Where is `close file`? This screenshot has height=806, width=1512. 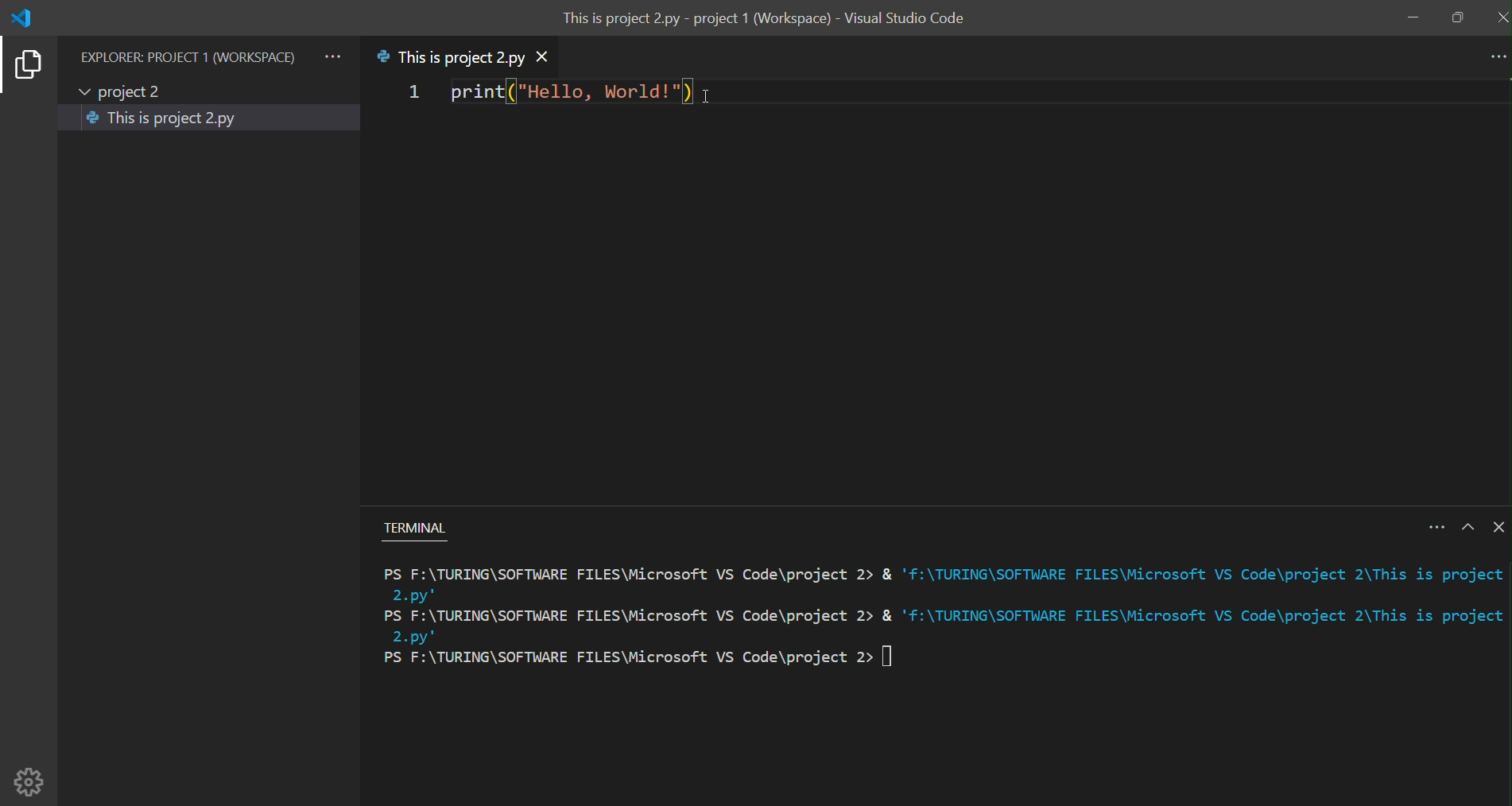 close file is located at coordinates (549, 59).